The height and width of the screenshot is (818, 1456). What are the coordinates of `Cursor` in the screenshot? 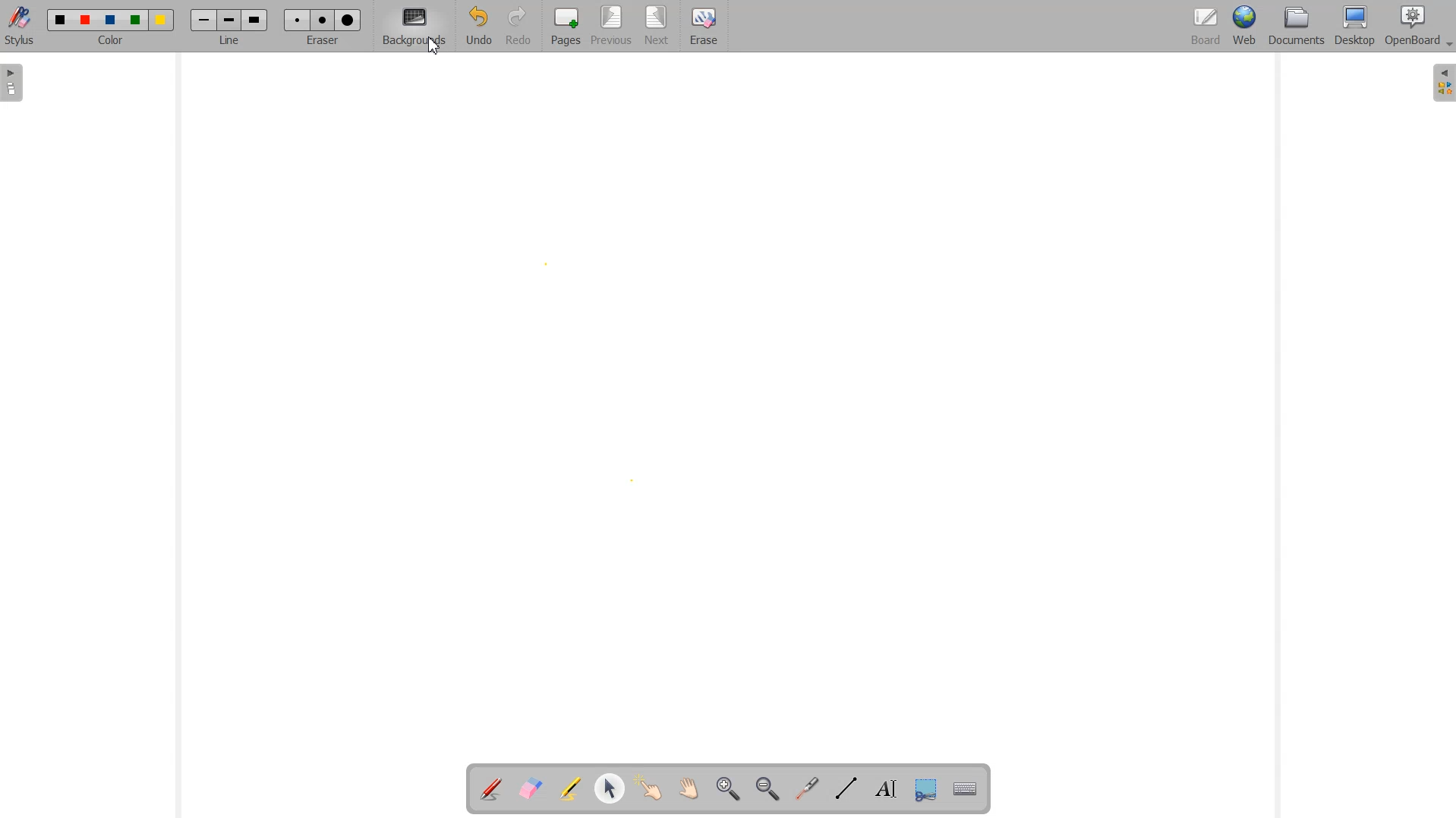 It's located at (435, 49).